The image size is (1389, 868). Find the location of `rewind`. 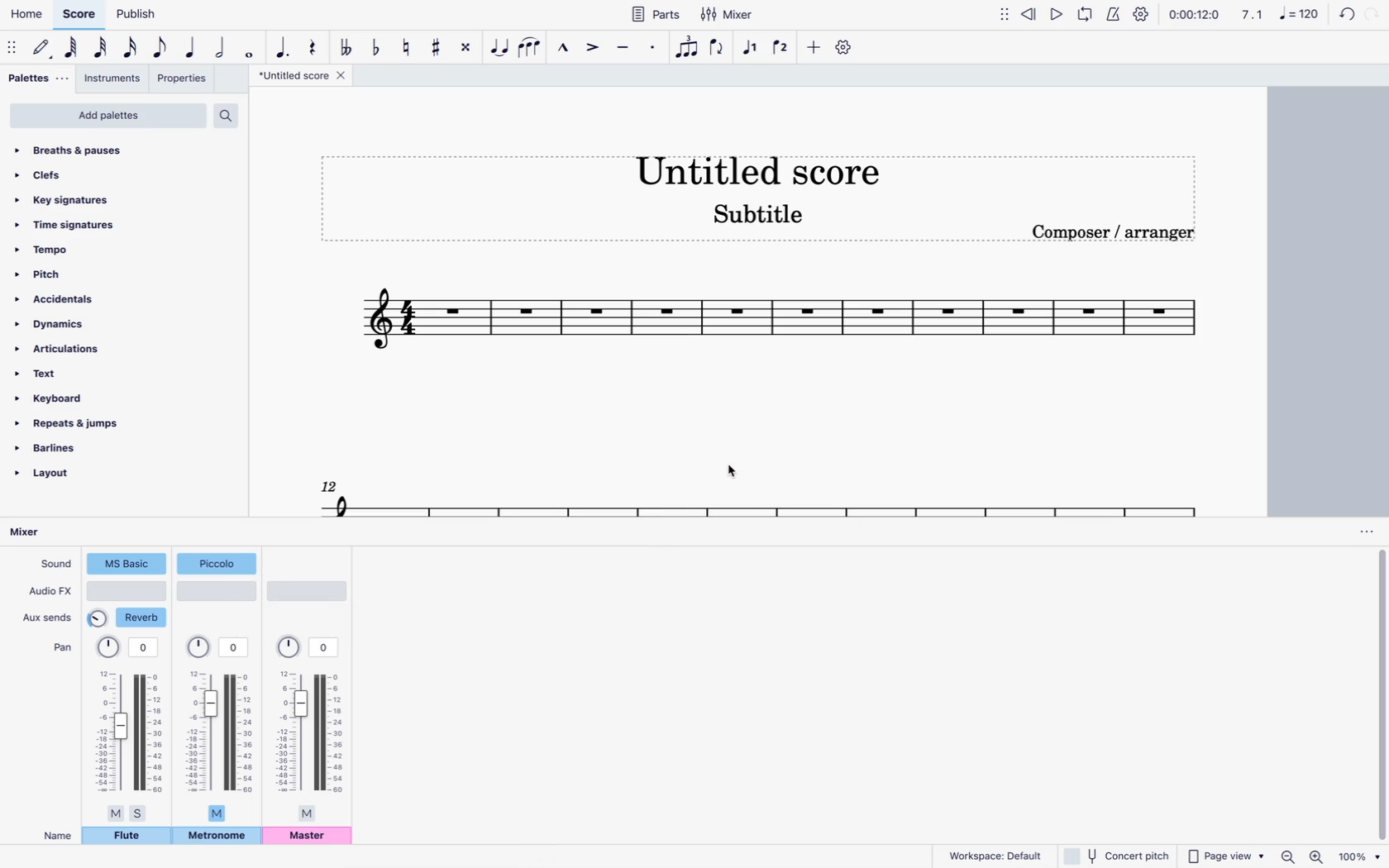

rewind is located at coordinates (1029, 17).